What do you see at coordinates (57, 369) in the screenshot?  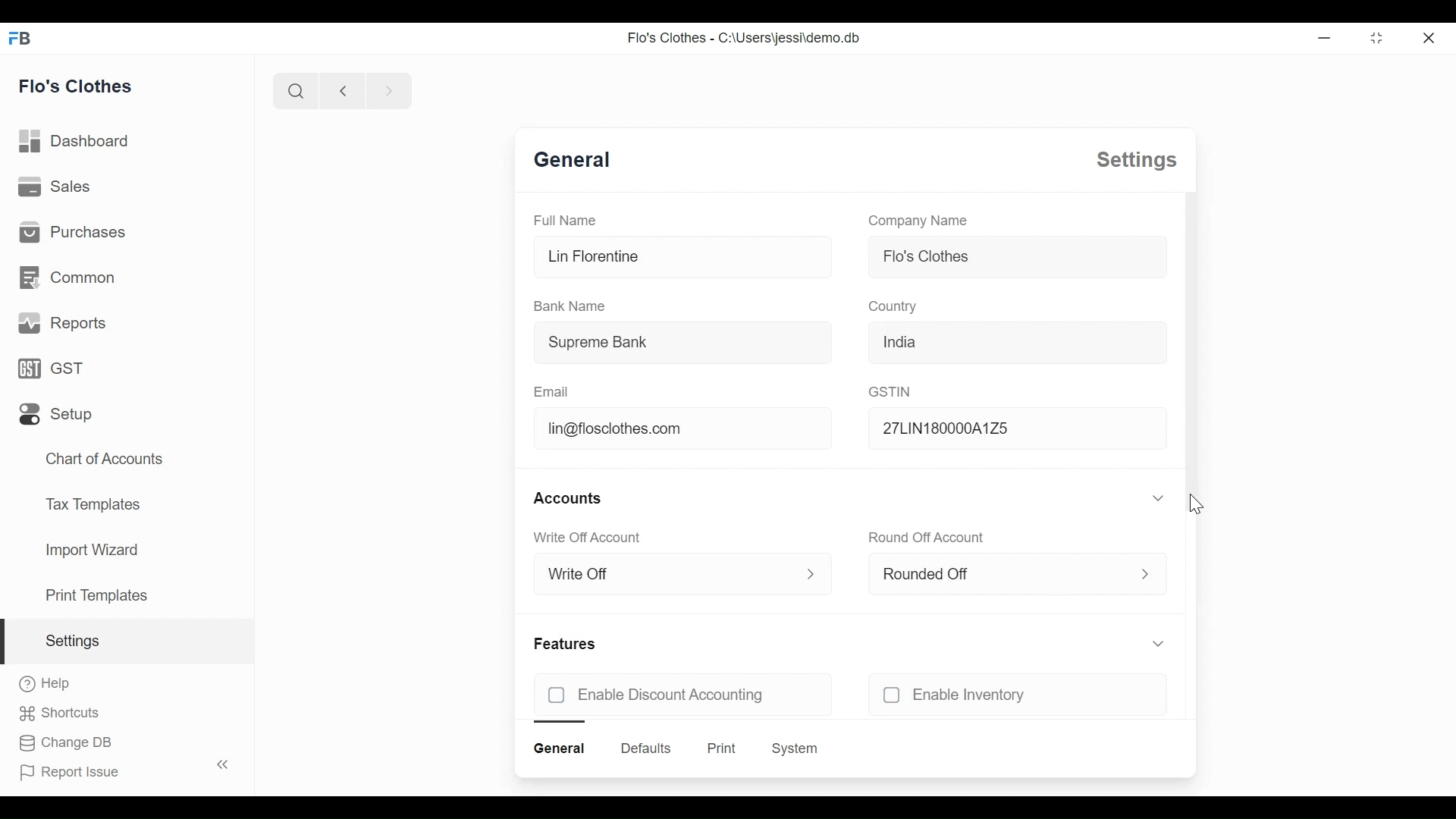 I see `GST` at bounding box center [57, 369].